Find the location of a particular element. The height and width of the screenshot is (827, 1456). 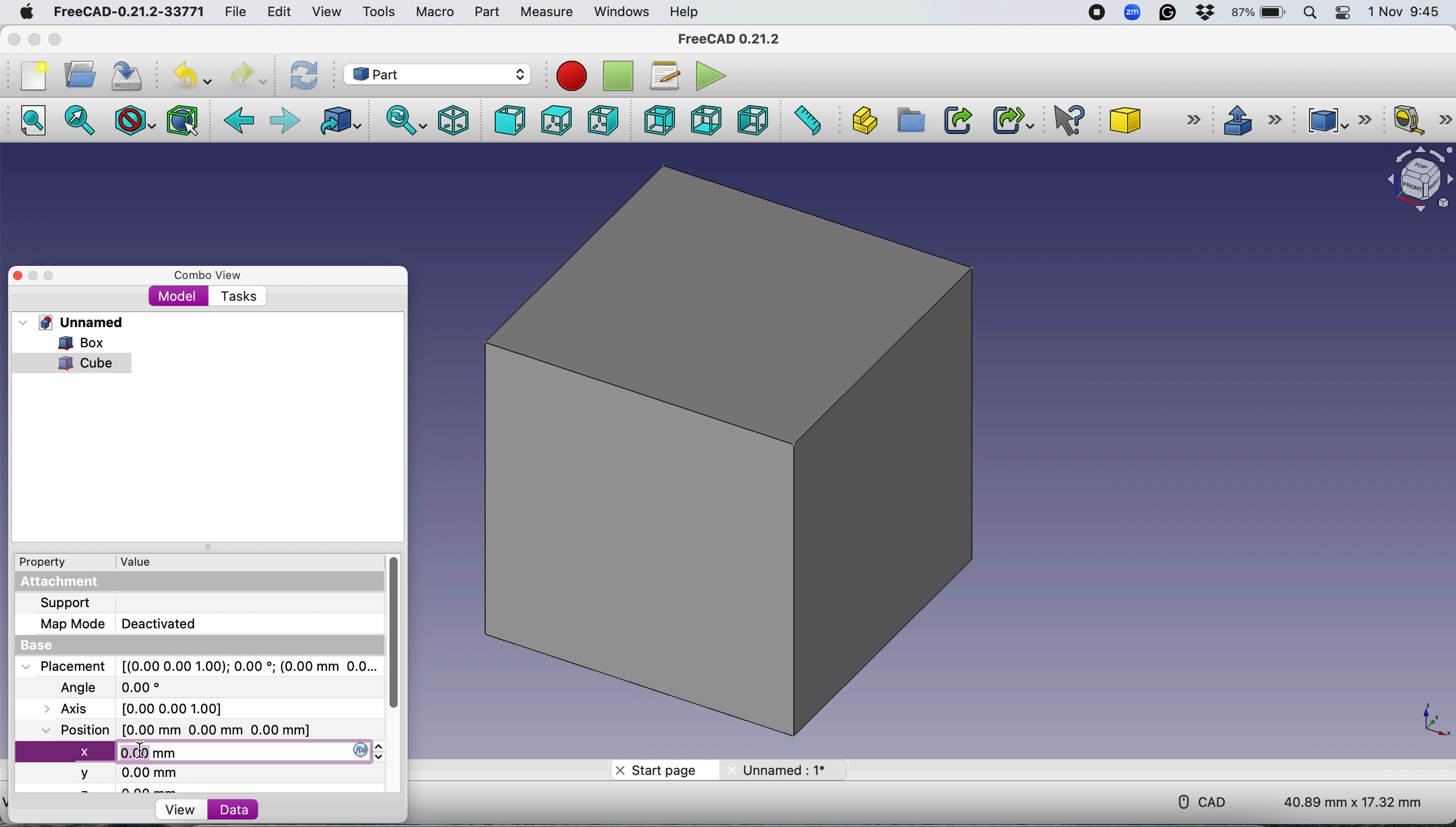

New is located at coordinates (32, 76).